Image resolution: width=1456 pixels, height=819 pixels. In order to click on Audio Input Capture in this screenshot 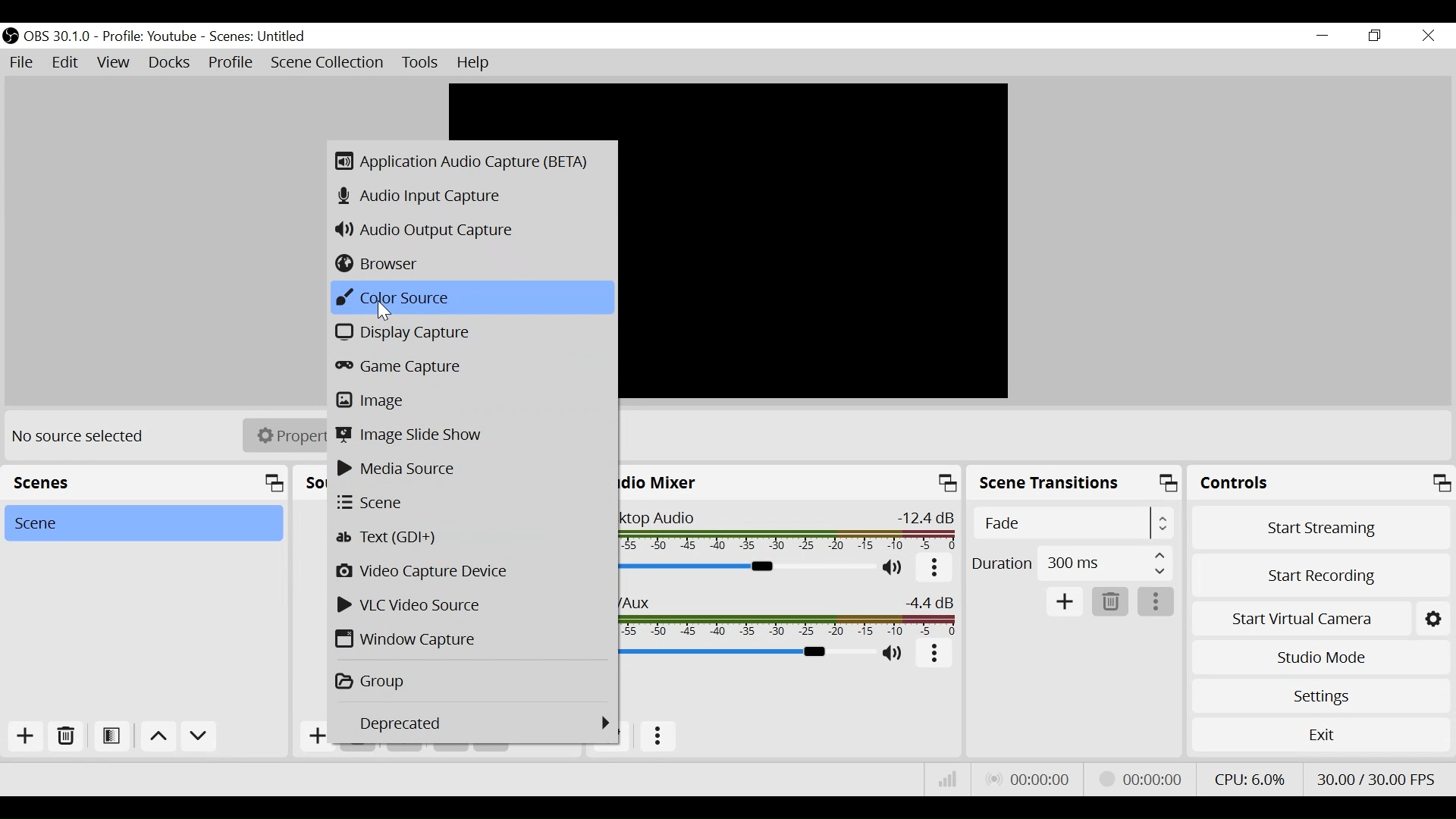, I will do `click(472, 198)`.